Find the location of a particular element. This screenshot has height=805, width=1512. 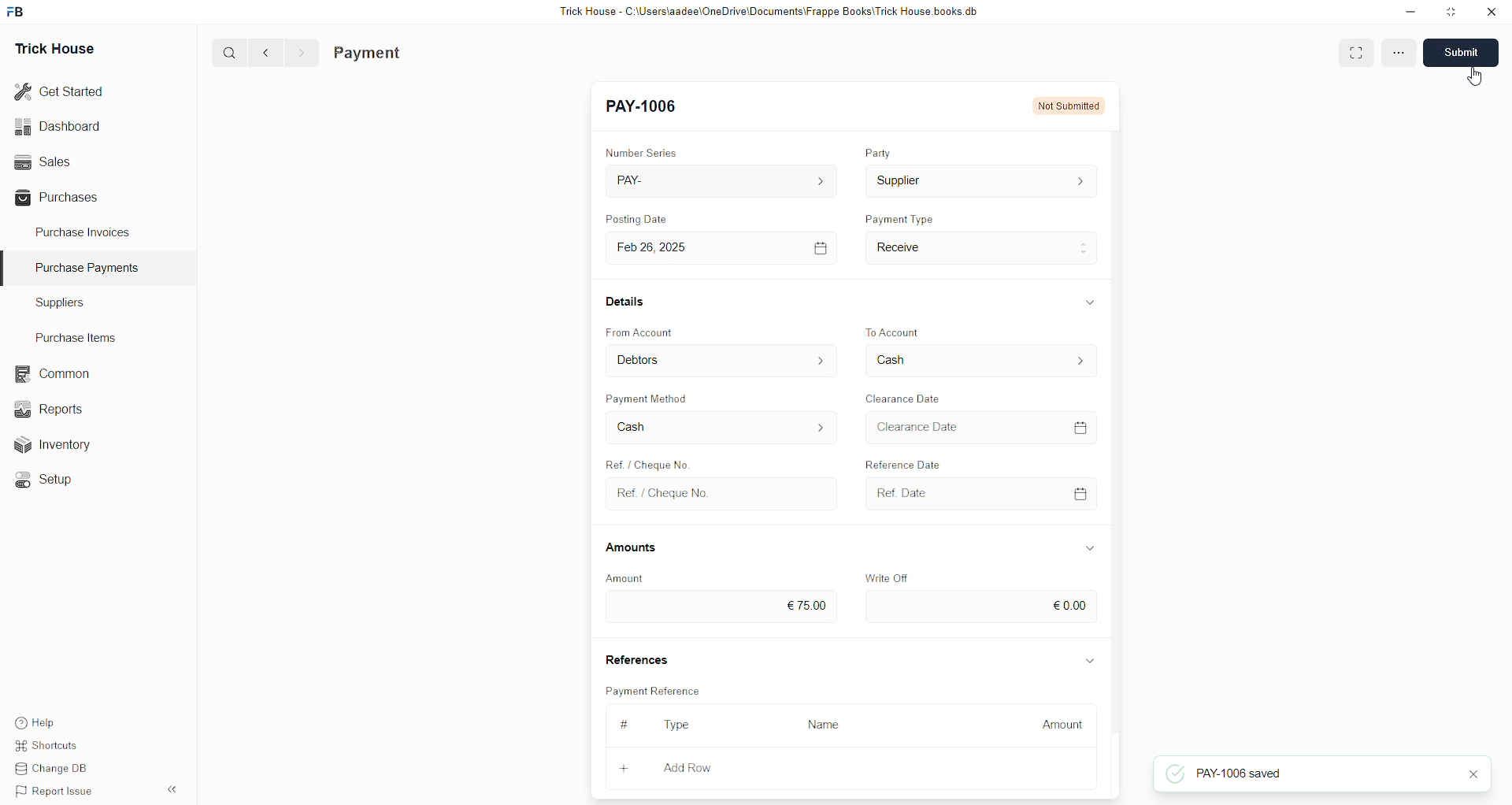

Payment is located at coordinates (370, 52).